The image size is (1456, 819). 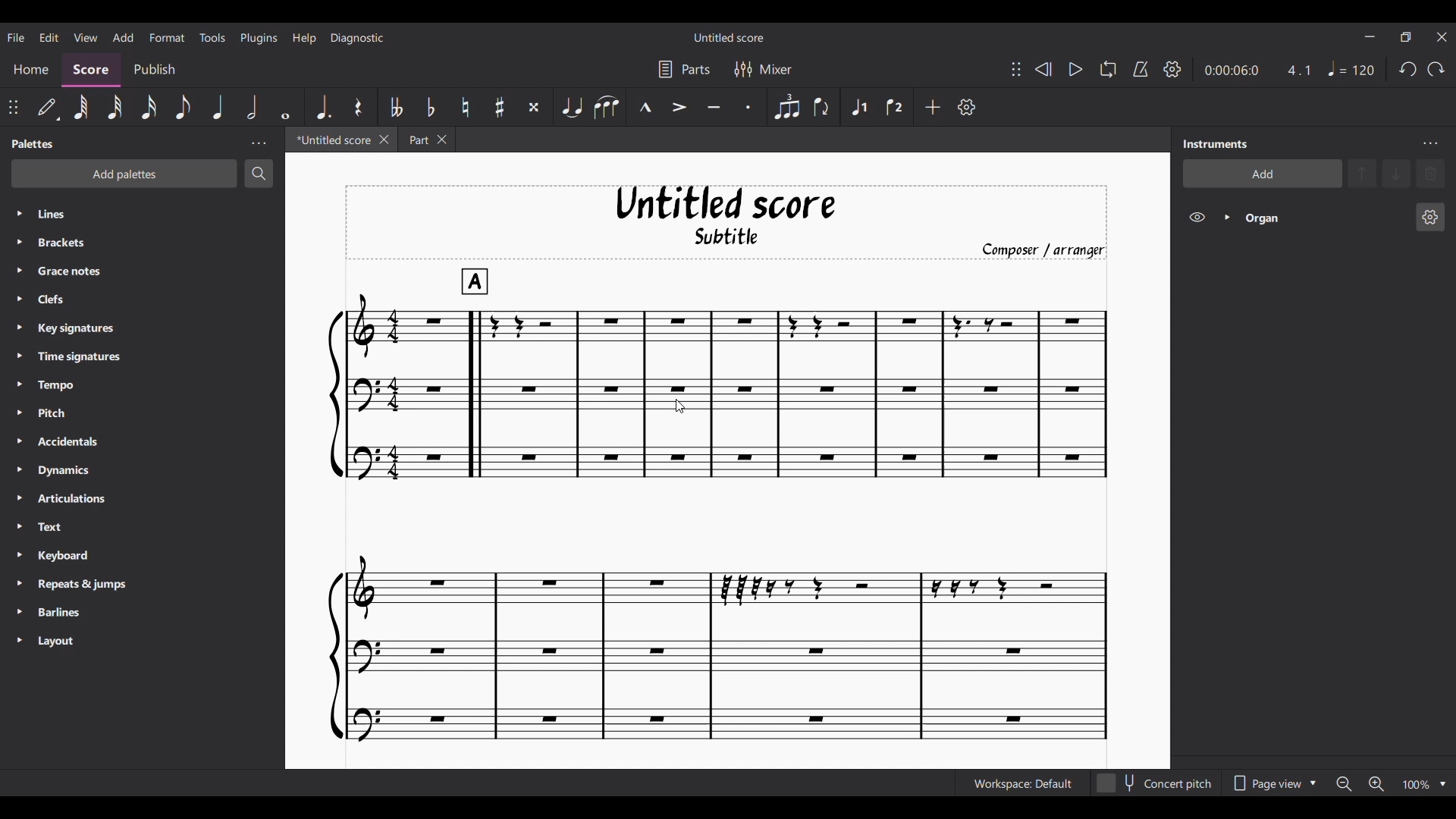 What do you see at coordinates (1430, 143) in the screenshot?
I see `Instruments panel settings` at bounding box center [1430, 143].